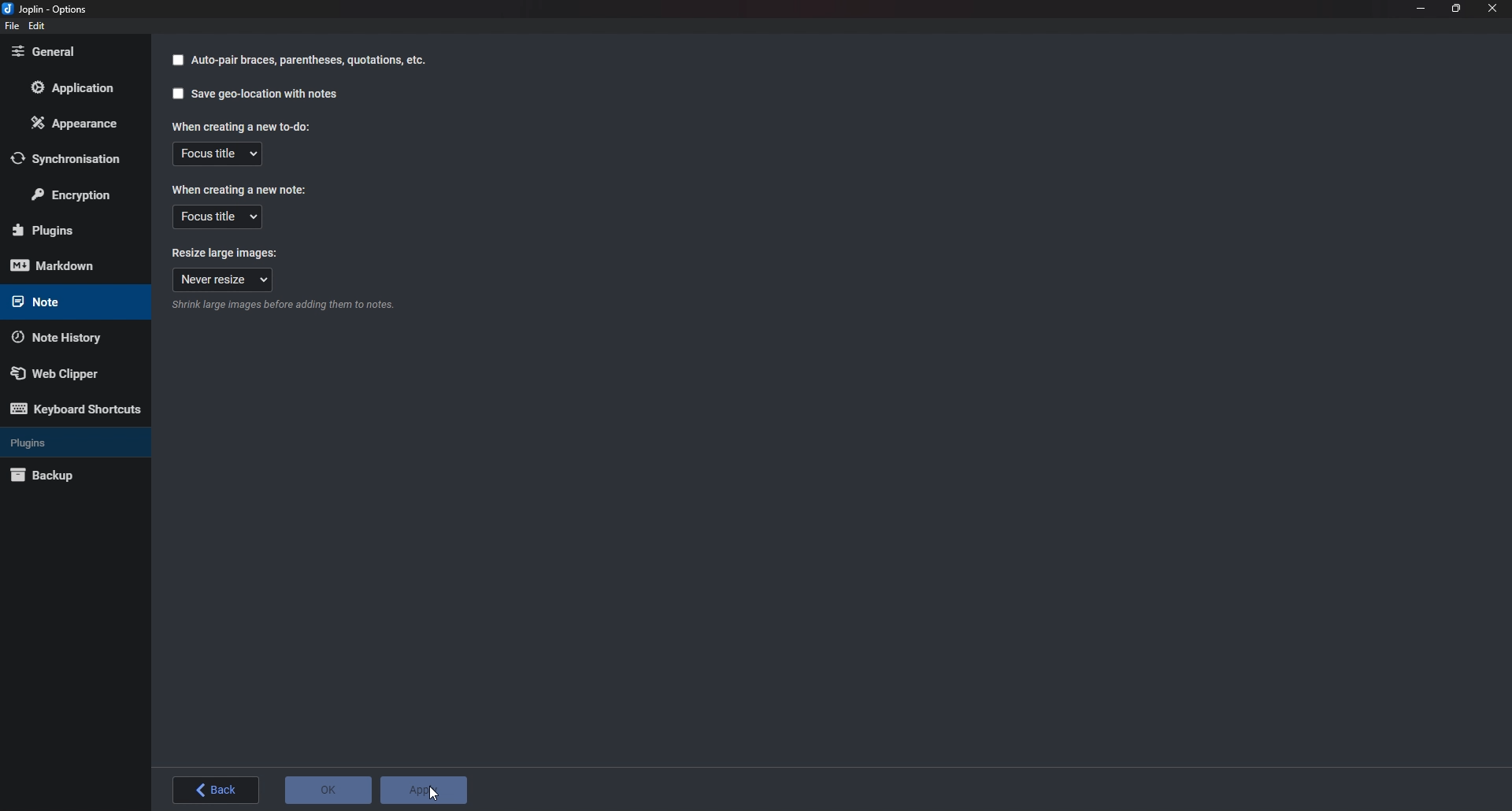 Image resolution: width=1512 pixels, height=811 pixels. What do you see at coordinates (218, 789) in the screenshot?
I see `back` at bounding box center [218, 789].